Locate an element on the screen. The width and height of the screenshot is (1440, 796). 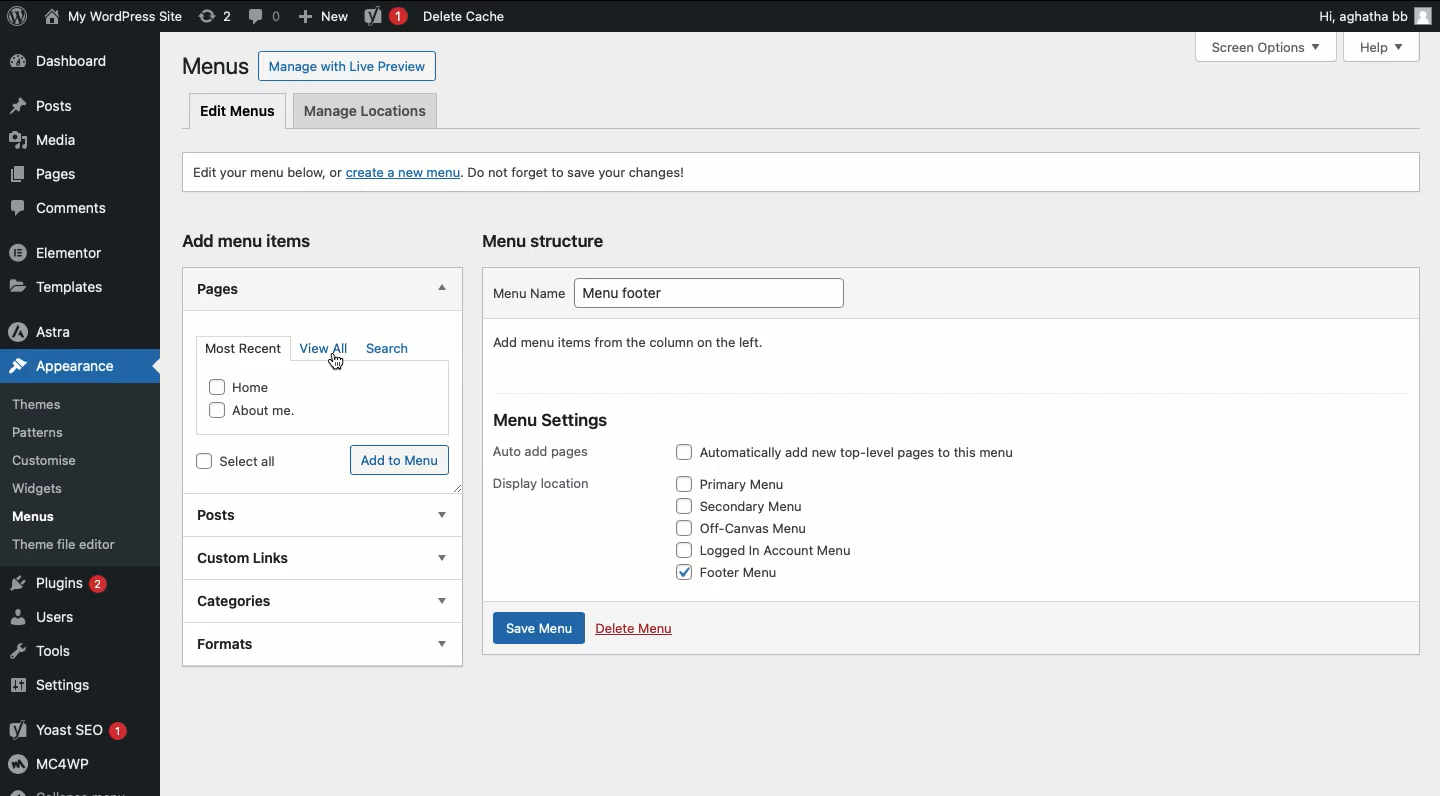
Dashboard is located at coordinates (71, 64).